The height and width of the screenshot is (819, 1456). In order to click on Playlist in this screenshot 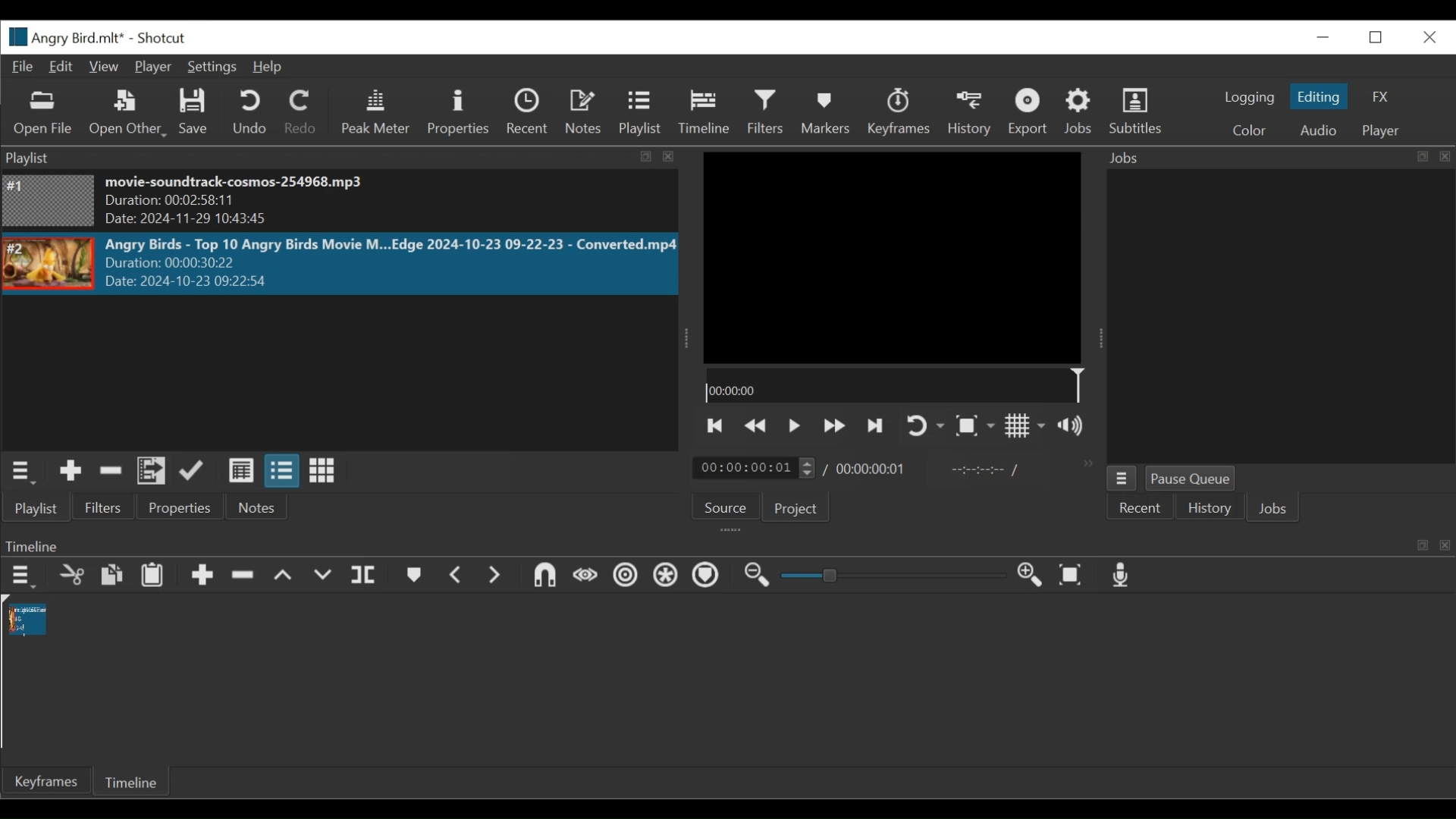, I will do `click(640, 114)`.